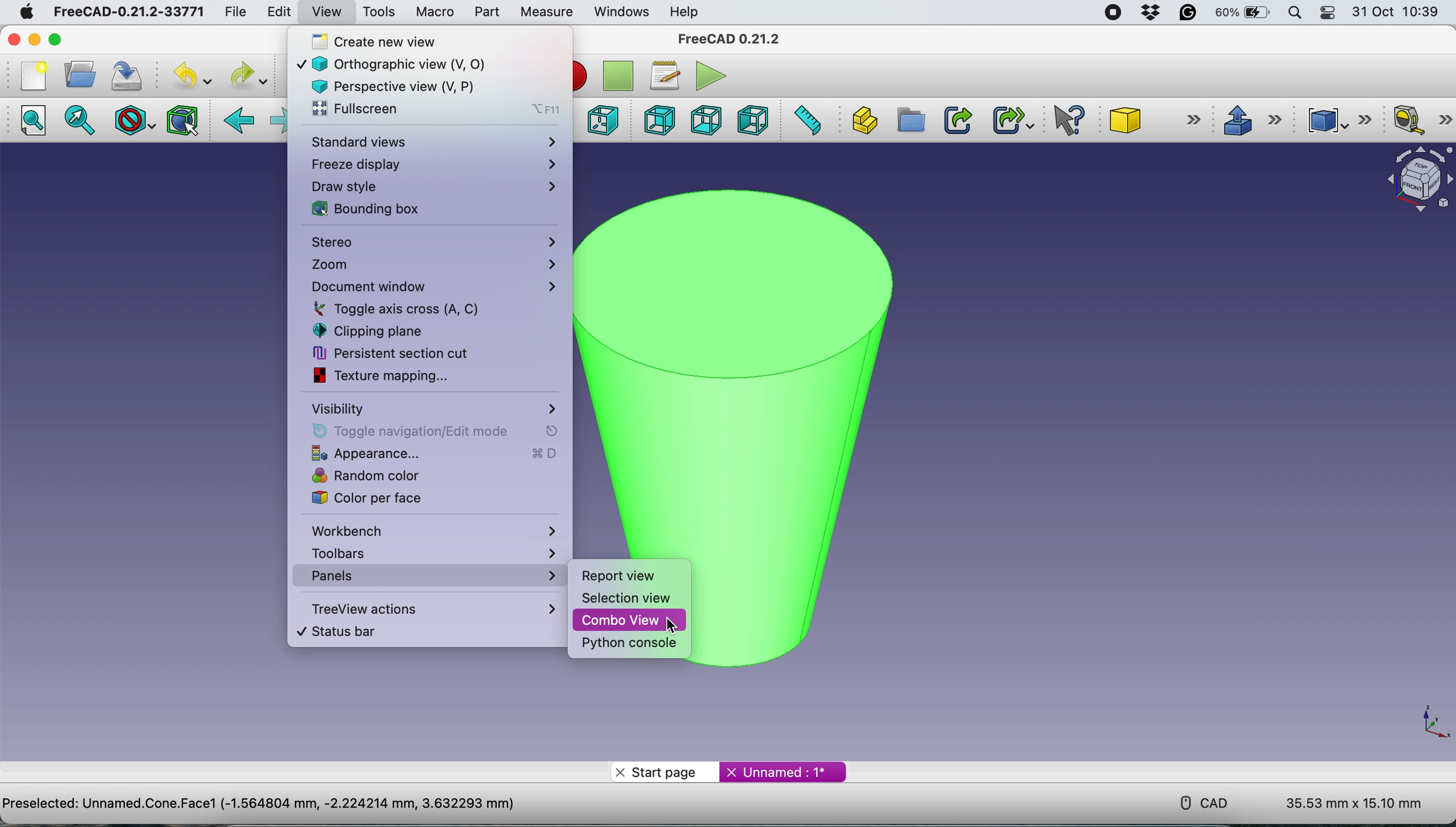 Image resolution: width=1456 pixels, height=827 pixels. Describe the element at coordinates (1423, 720) in the screenshot. I see `xy scale` at that location.